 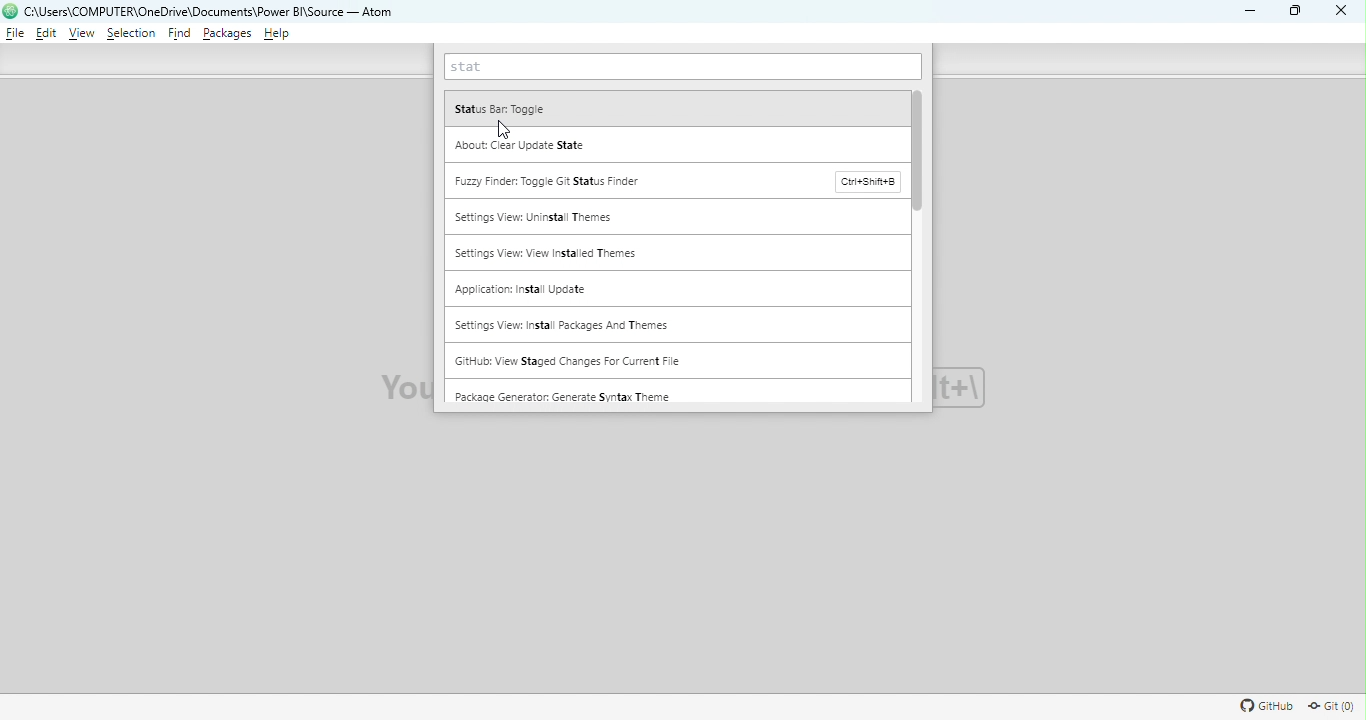 I want to click on Find, so click(x=180, y=35).